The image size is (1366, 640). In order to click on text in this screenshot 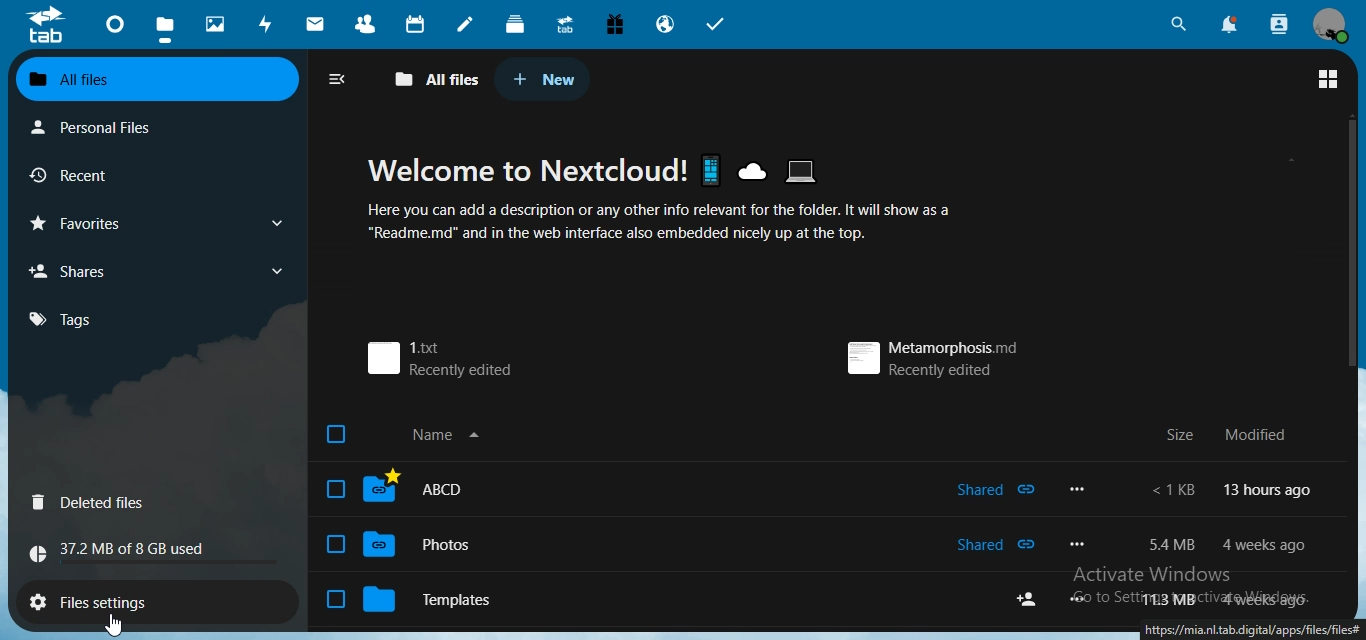, I will do `click(1263, 598)`.